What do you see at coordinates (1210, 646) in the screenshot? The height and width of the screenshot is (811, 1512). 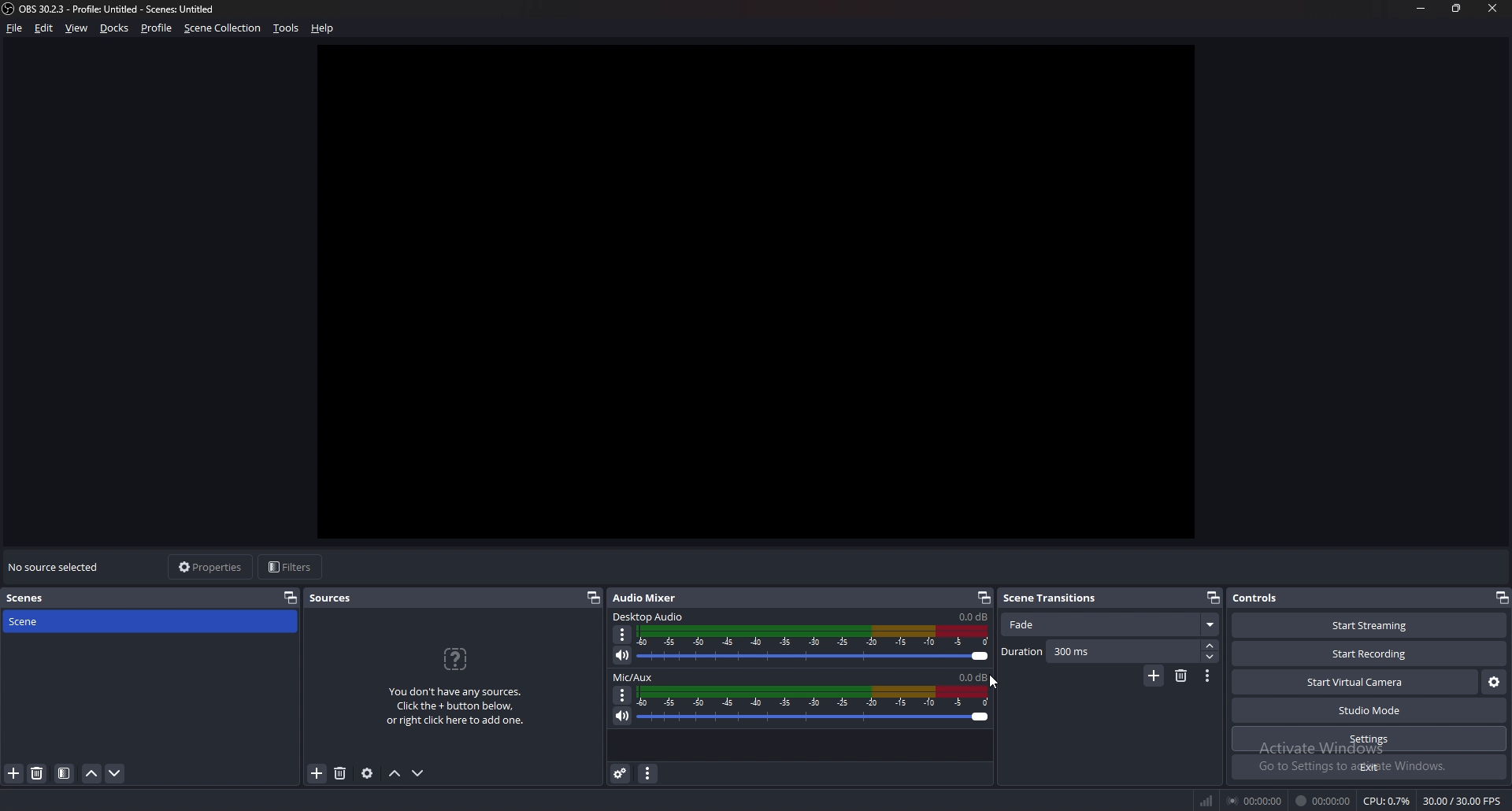 I see `increase duration` at bounding box center [1210, 646].